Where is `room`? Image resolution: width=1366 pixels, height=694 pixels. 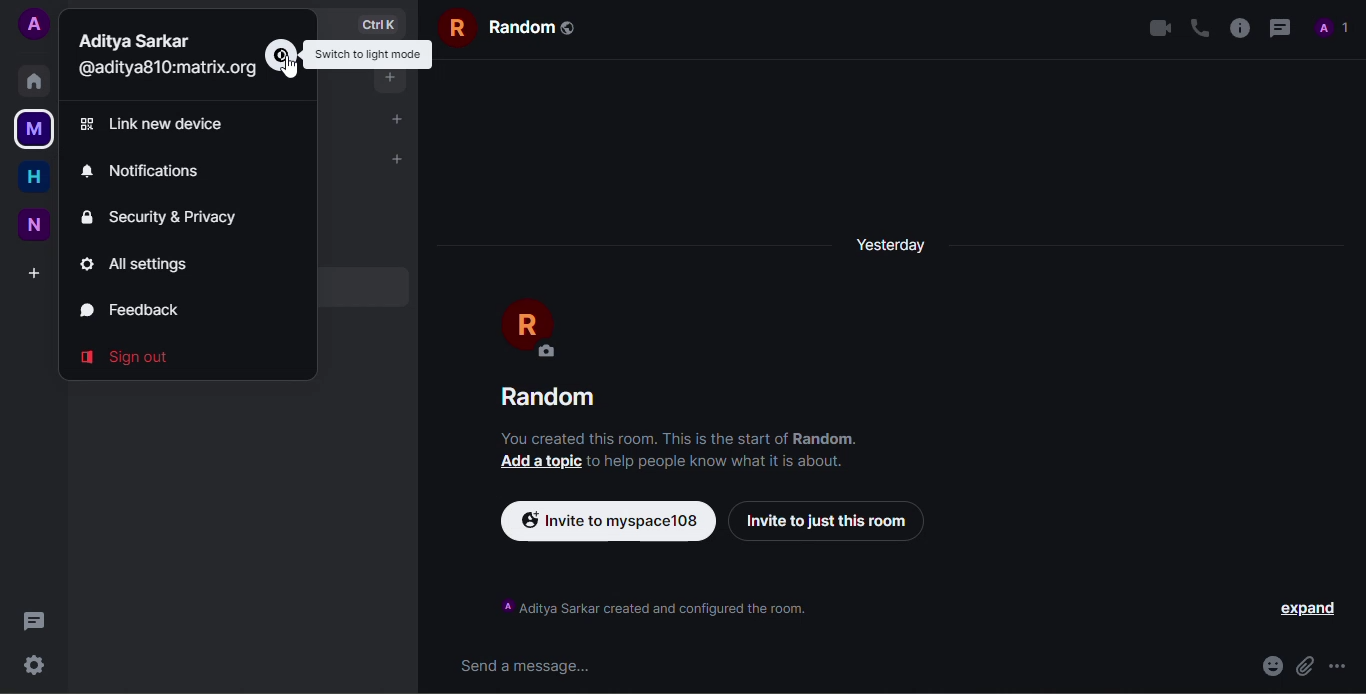
room is located at coordinates (513, 28).